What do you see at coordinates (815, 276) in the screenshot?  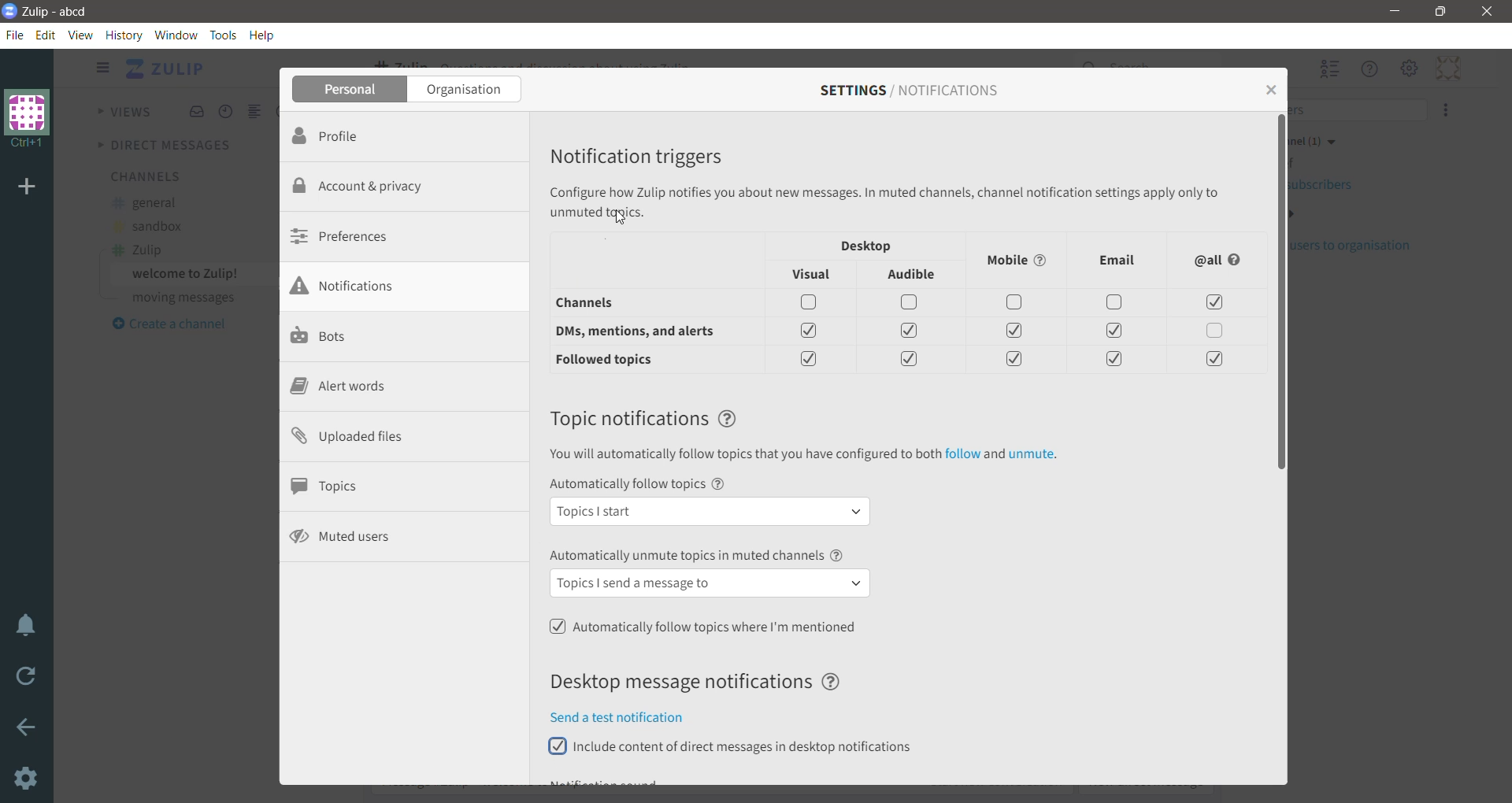 I see `visual` at bounding box center [815, 276].